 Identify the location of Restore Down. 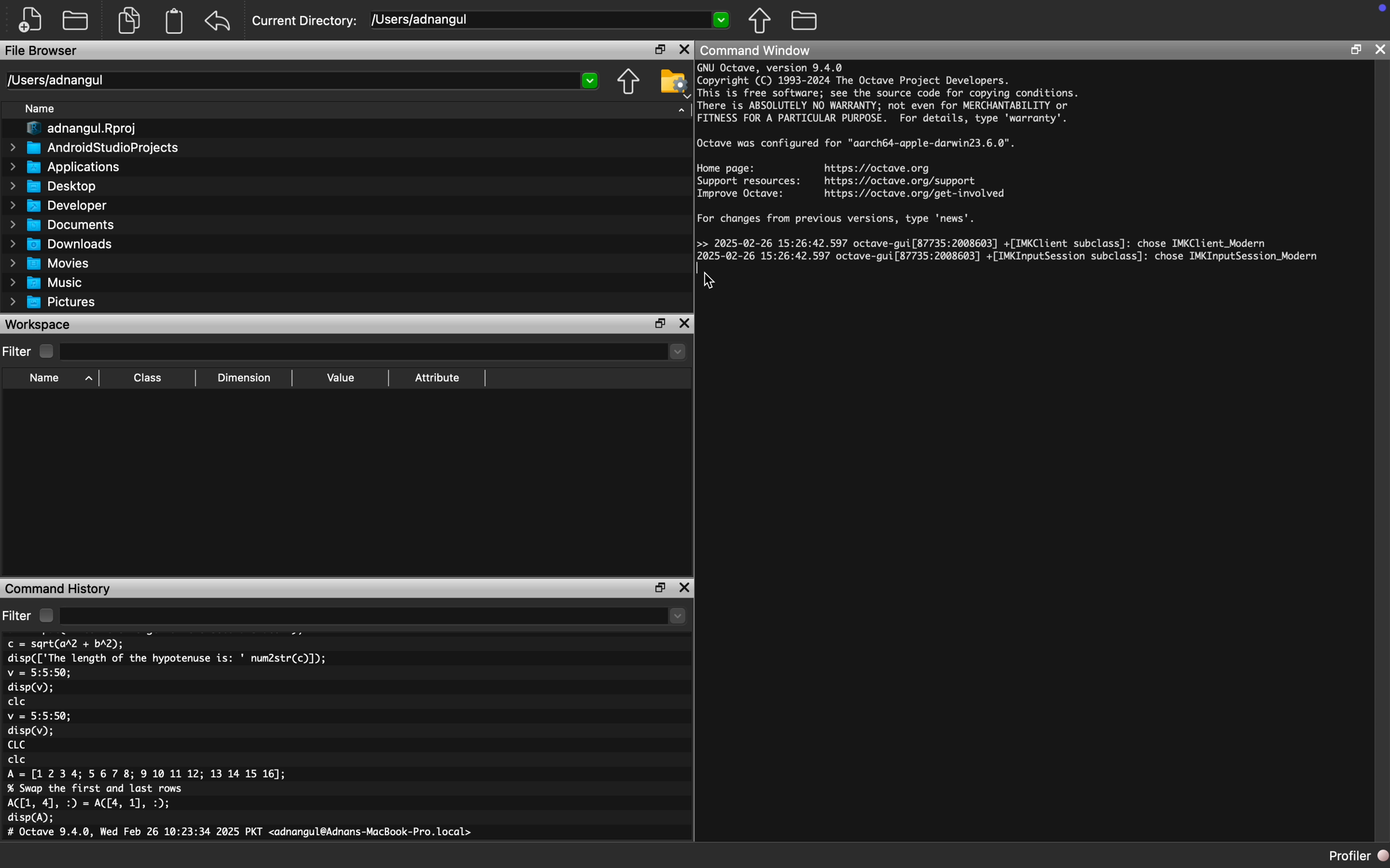
(1356, 51).